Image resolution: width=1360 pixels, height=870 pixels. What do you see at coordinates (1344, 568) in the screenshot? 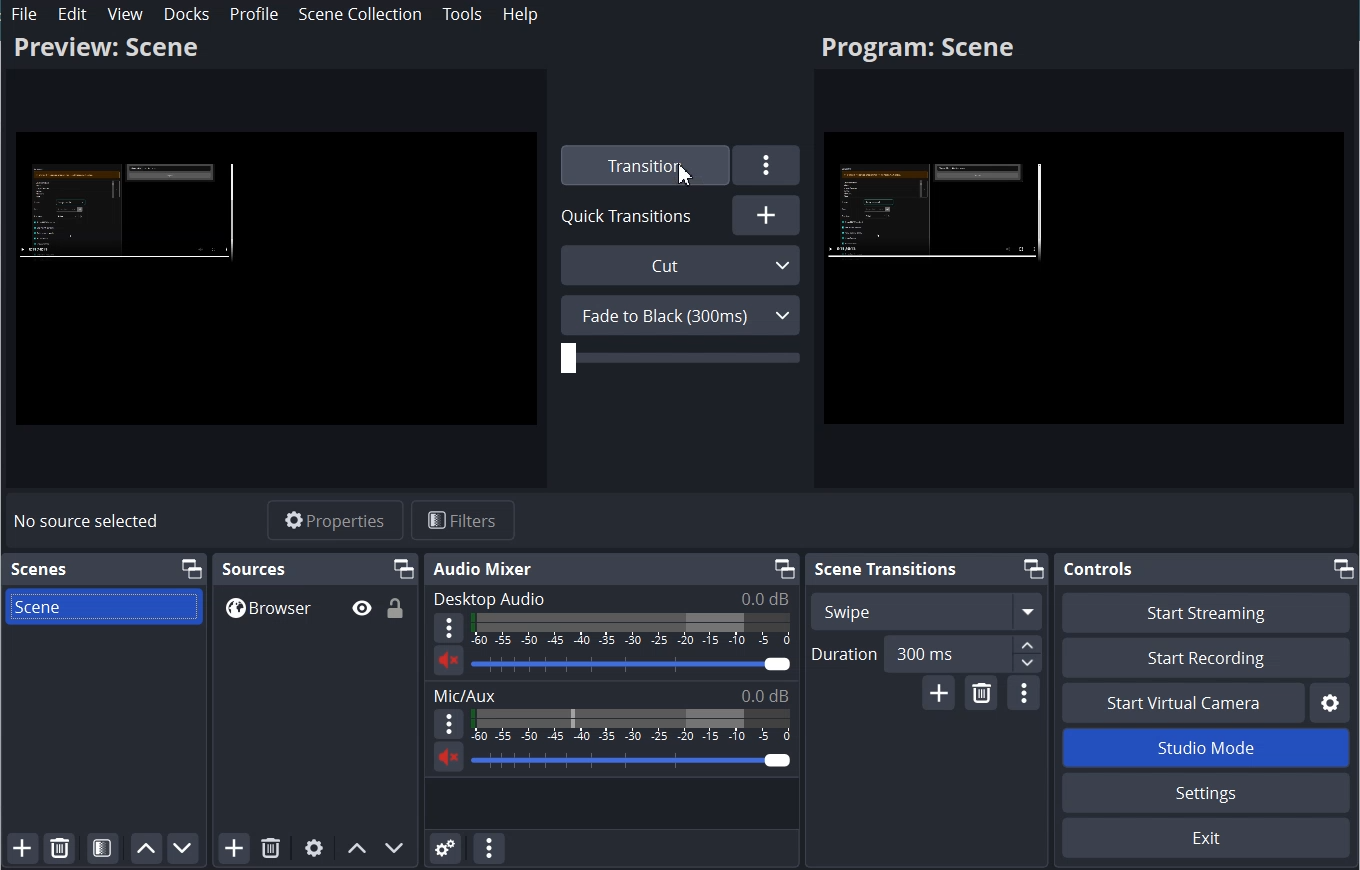
I see `Maximize` at bounding box center [1344, 568].